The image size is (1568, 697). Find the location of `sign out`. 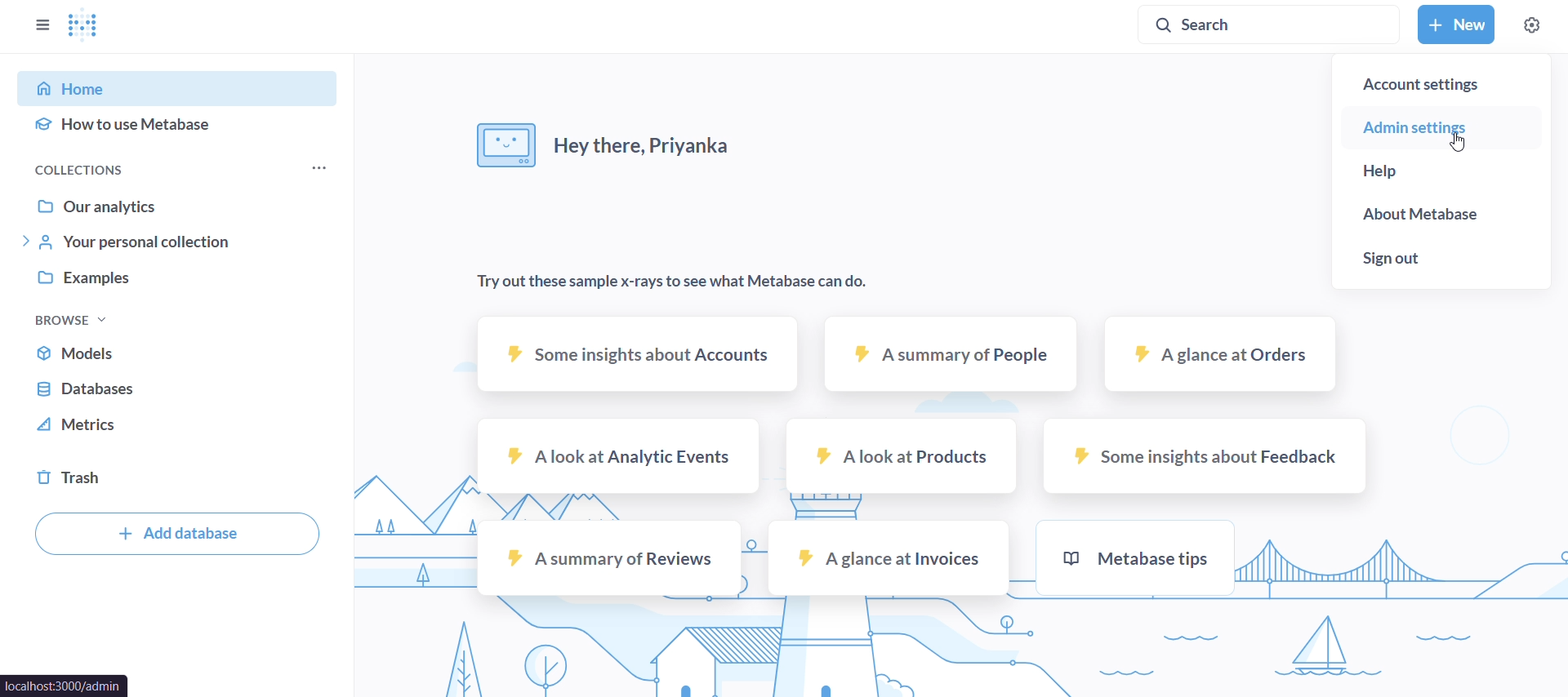

sign out is located at coordinates (1441, 265).